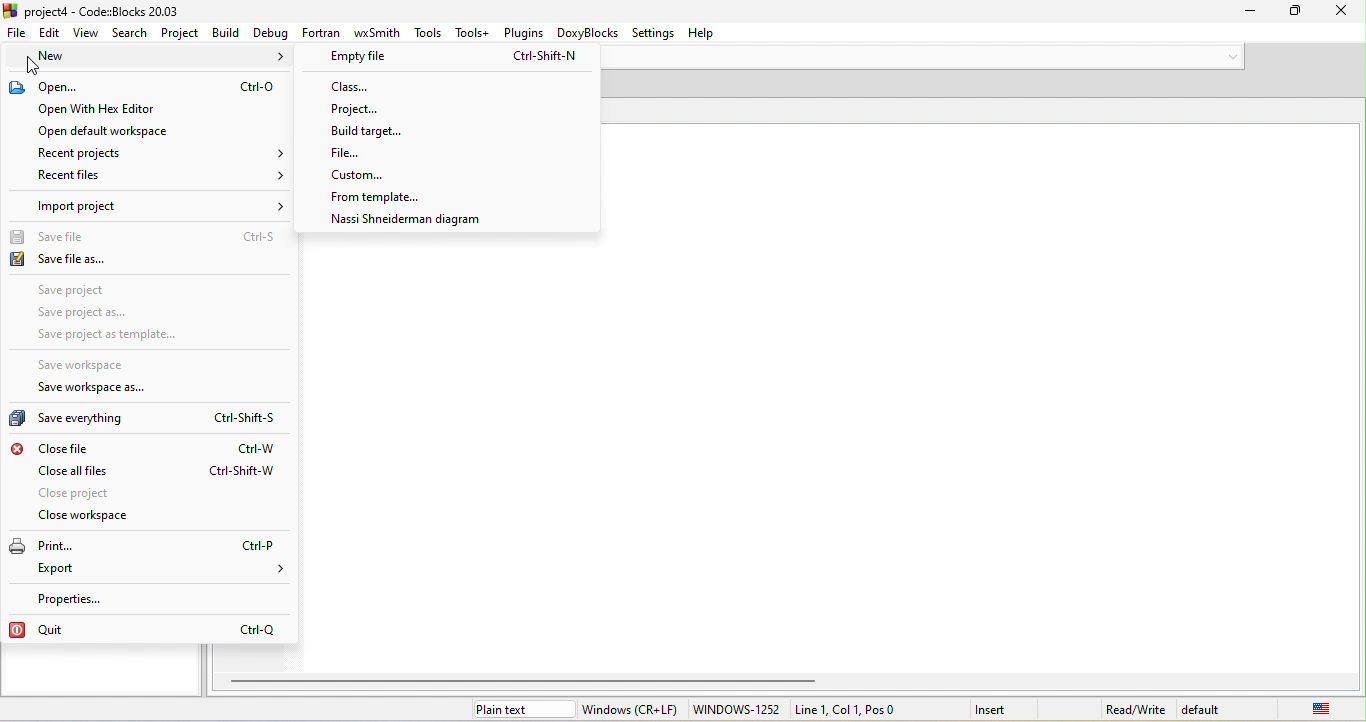 The height and width of the screenshot is (722, 1366). I want to click on export, so click(159, 571).